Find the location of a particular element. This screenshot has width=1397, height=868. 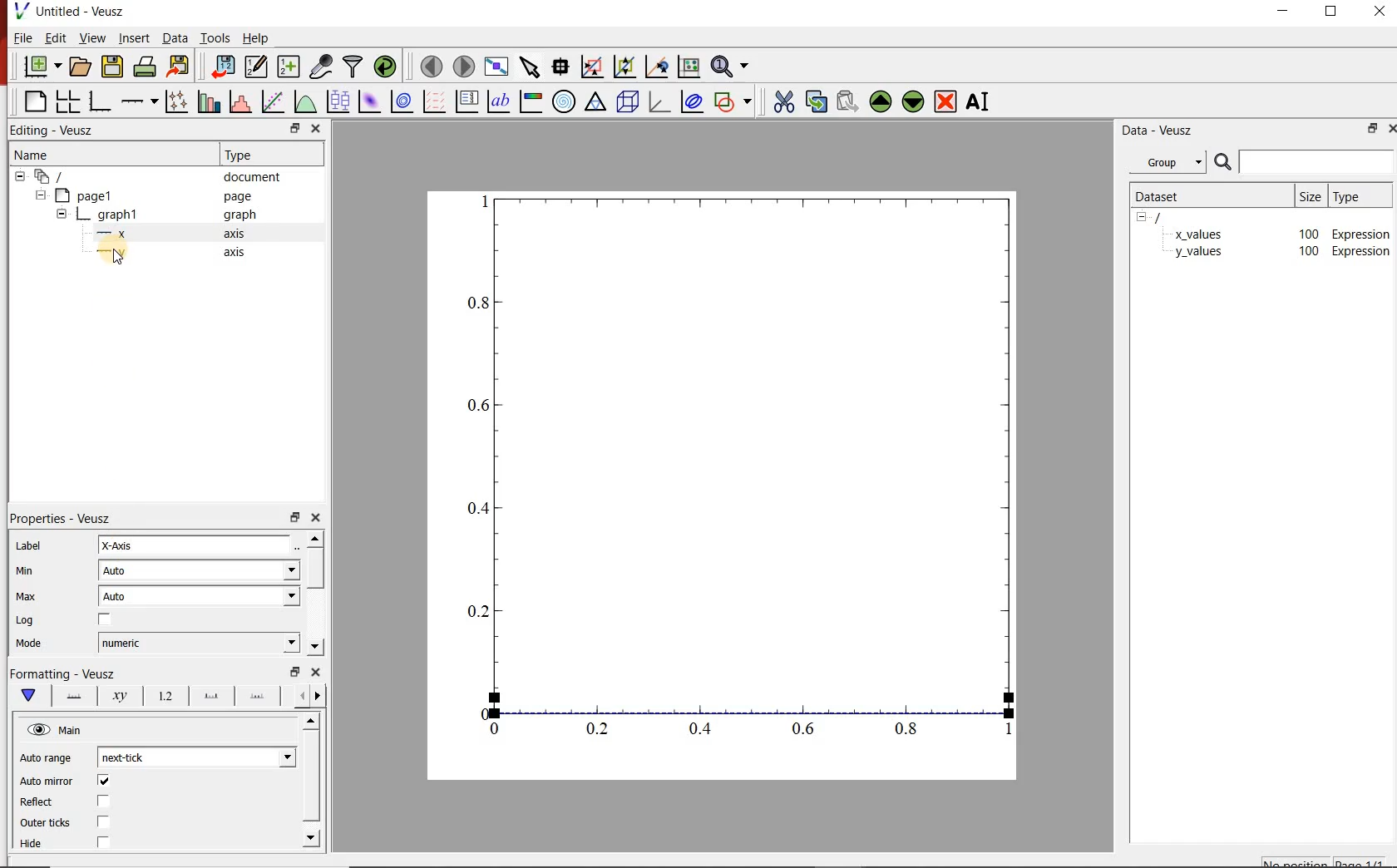

restore down is located at coordinates (295, 515).